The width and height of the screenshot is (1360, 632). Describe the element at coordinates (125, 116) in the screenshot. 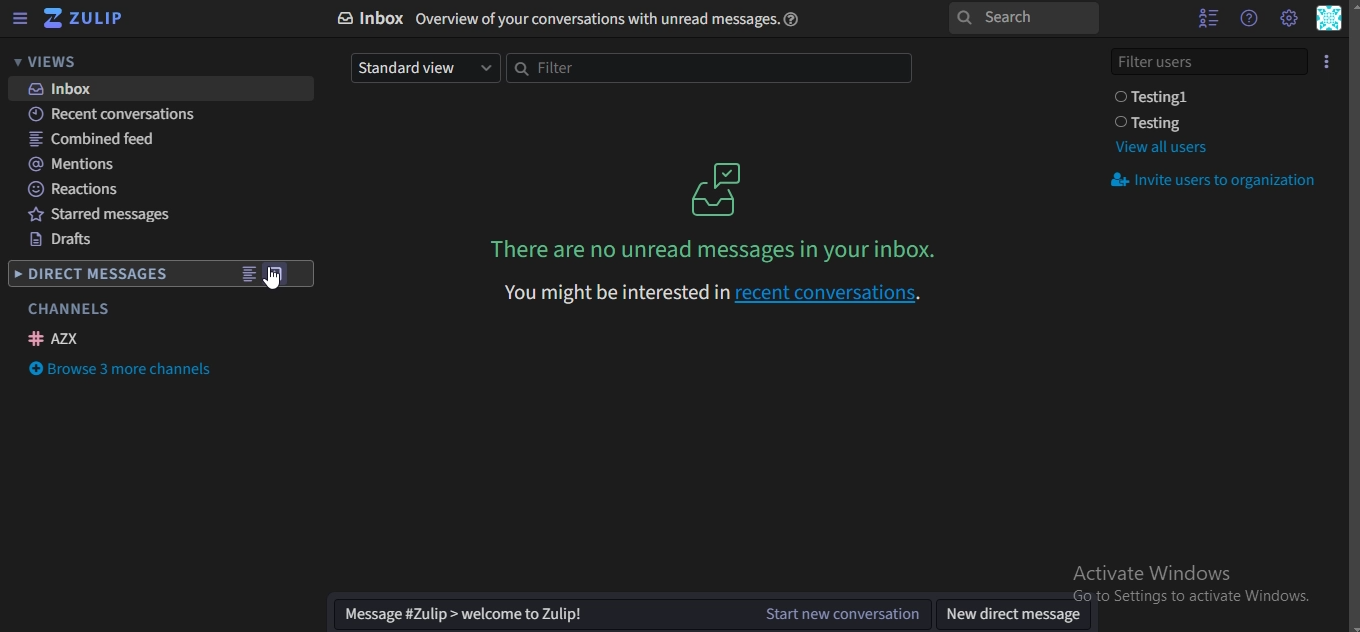

I see `recent conversations` at that location.